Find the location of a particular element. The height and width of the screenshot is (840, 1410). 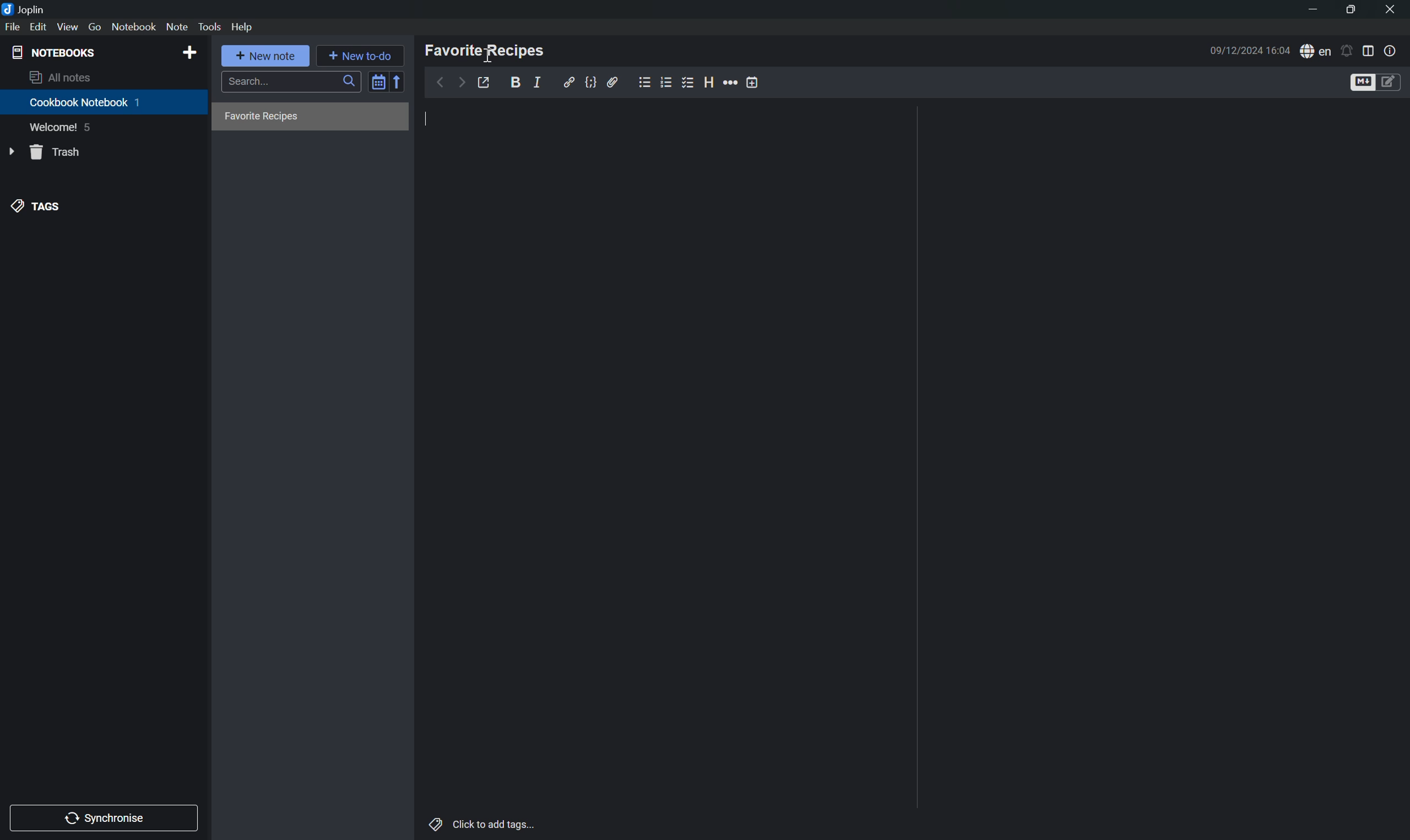

NOTEBOOKS is located at coordinates (53, 53).